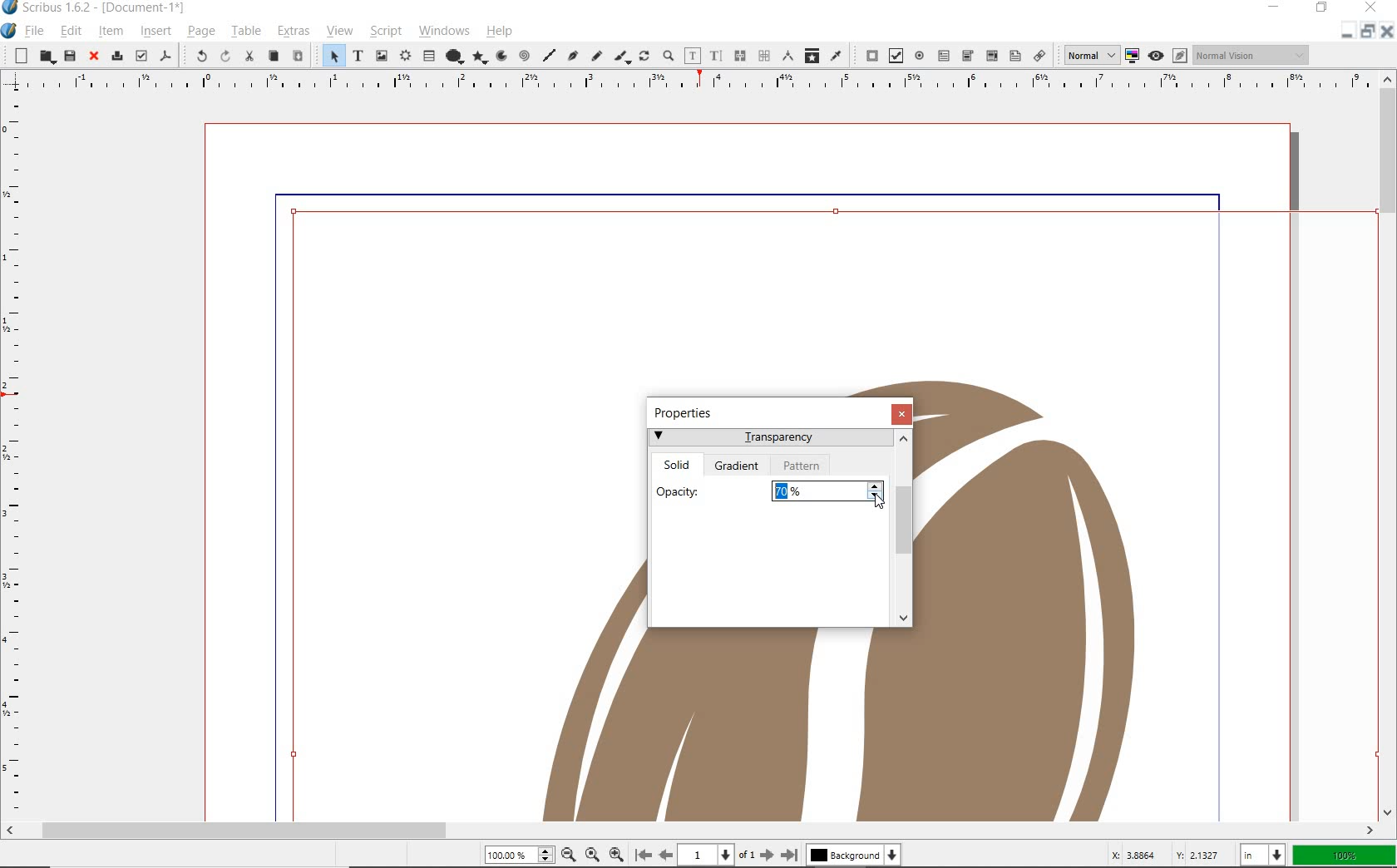 The width and height of the screenshot is (1397, 868). I want to click on Opacity: 70%, so click(768, 489).